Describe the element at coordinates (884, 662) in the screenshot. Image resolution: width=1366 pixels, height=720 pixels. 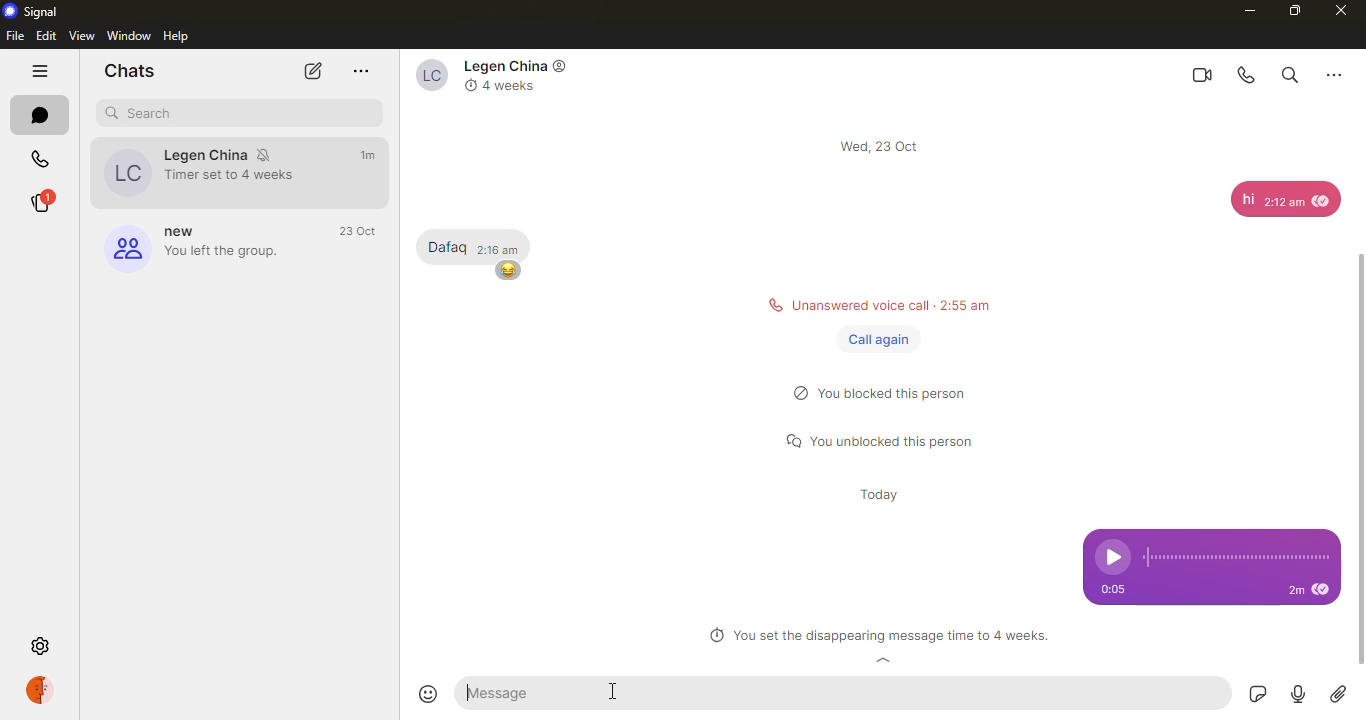
I see `expand` at that location.